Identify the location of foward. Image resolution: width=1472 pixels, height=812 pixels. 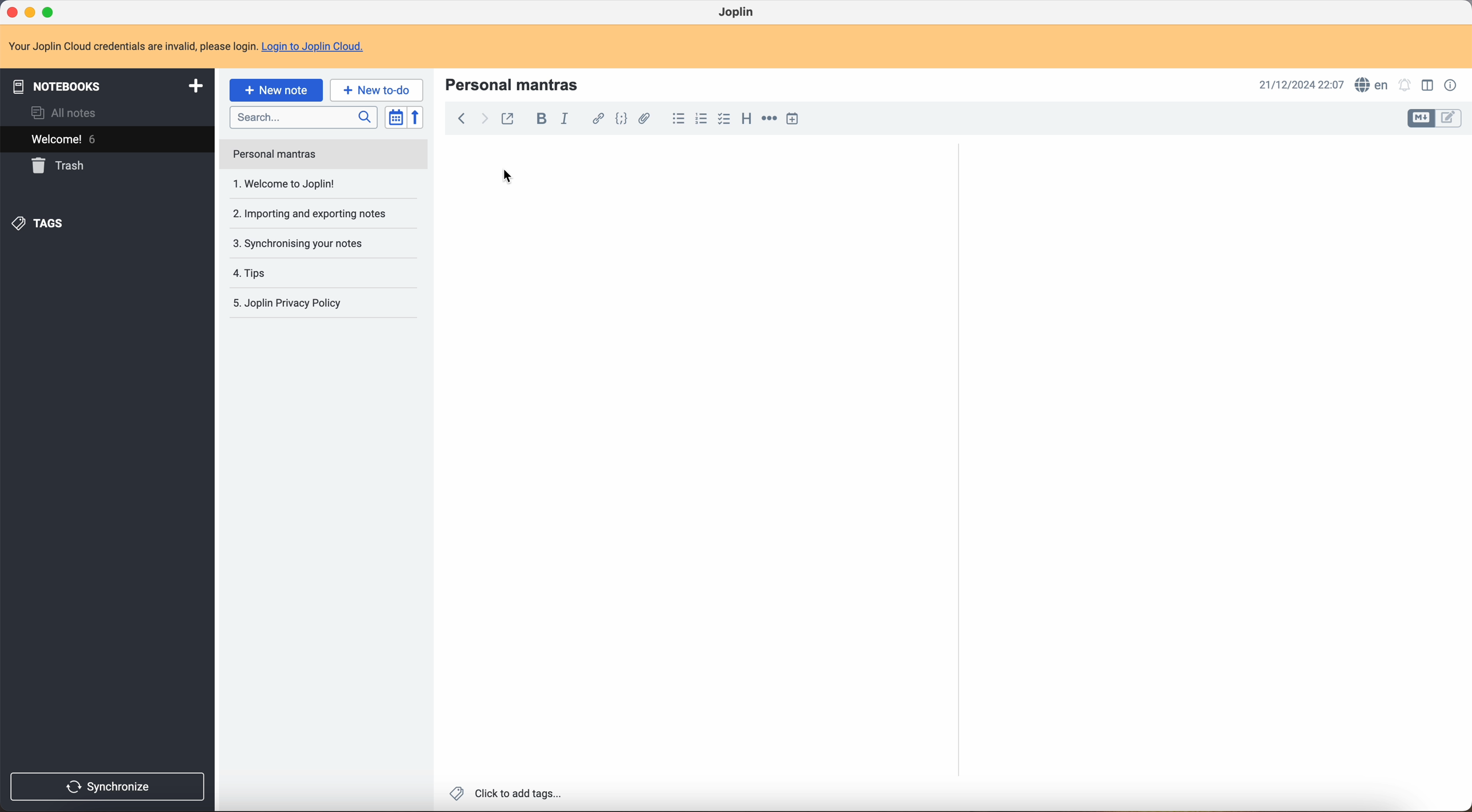
(485, 119).